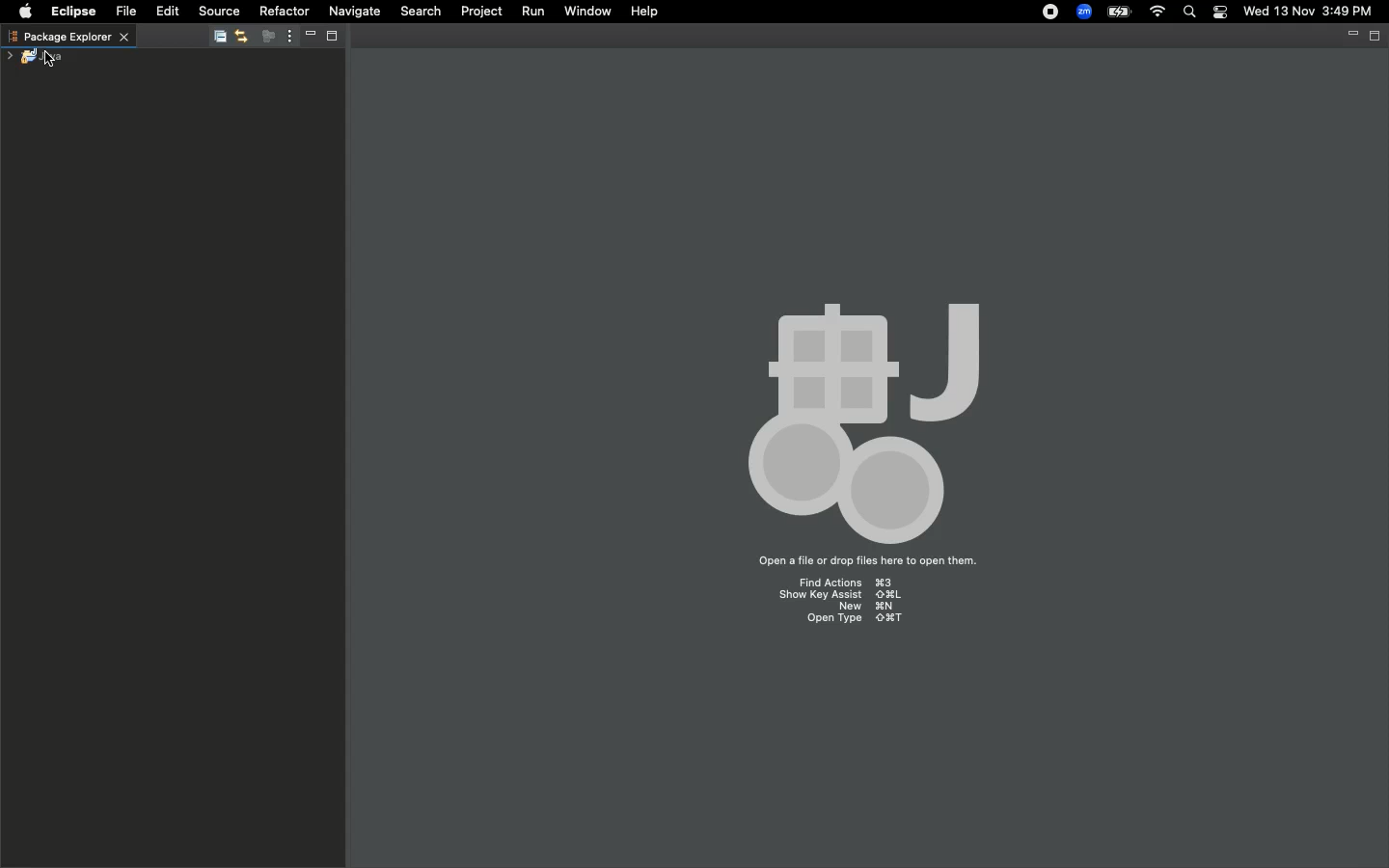 This screenshot has height=868, width=1389. Describe the element at coordinates (168, 11) in the screenshot. I see `Edit` at that location.